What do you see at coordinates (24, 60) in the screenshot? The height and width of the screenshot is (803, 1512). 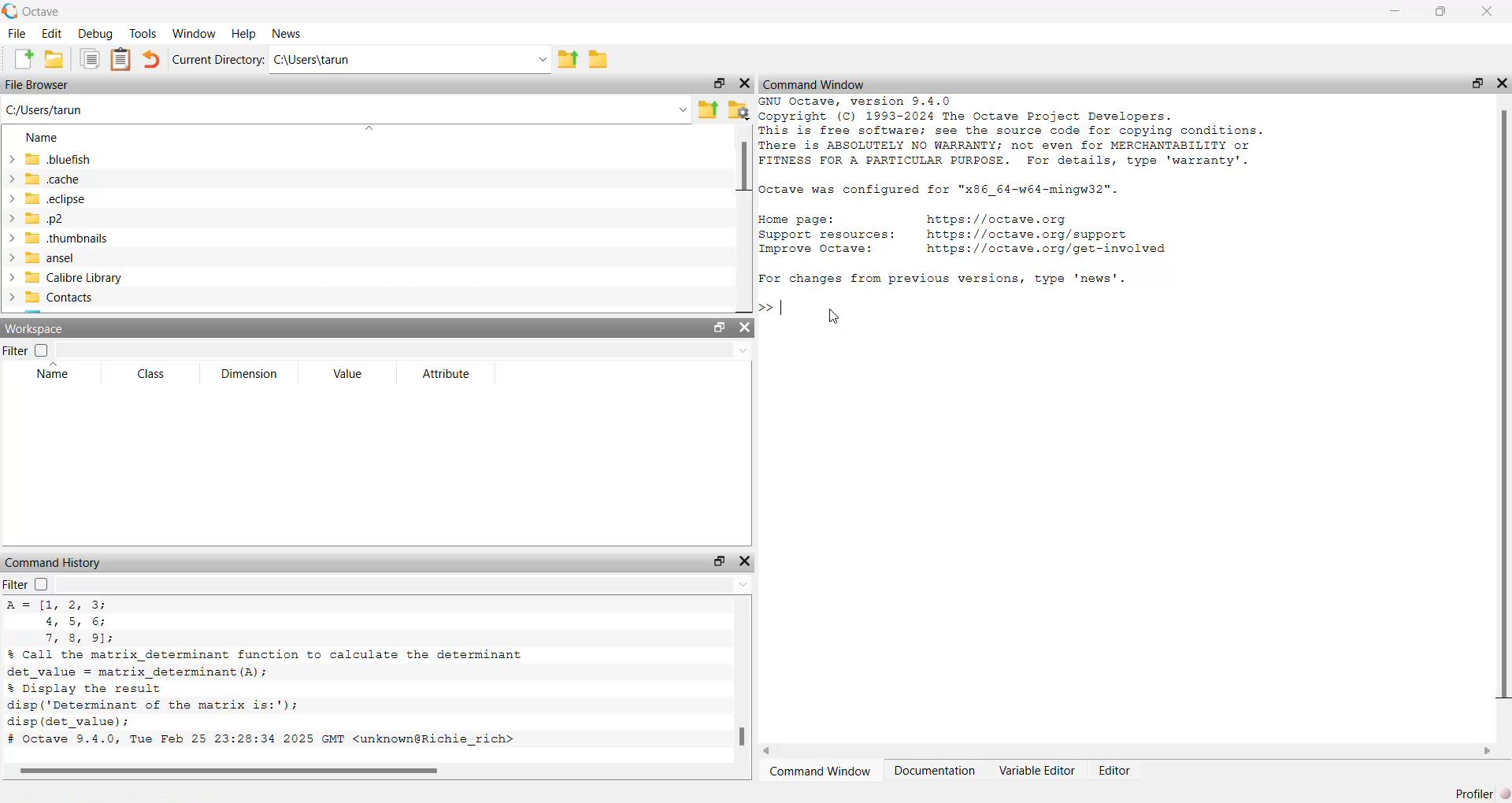 I see `new script` at bounding box center [24, 60].